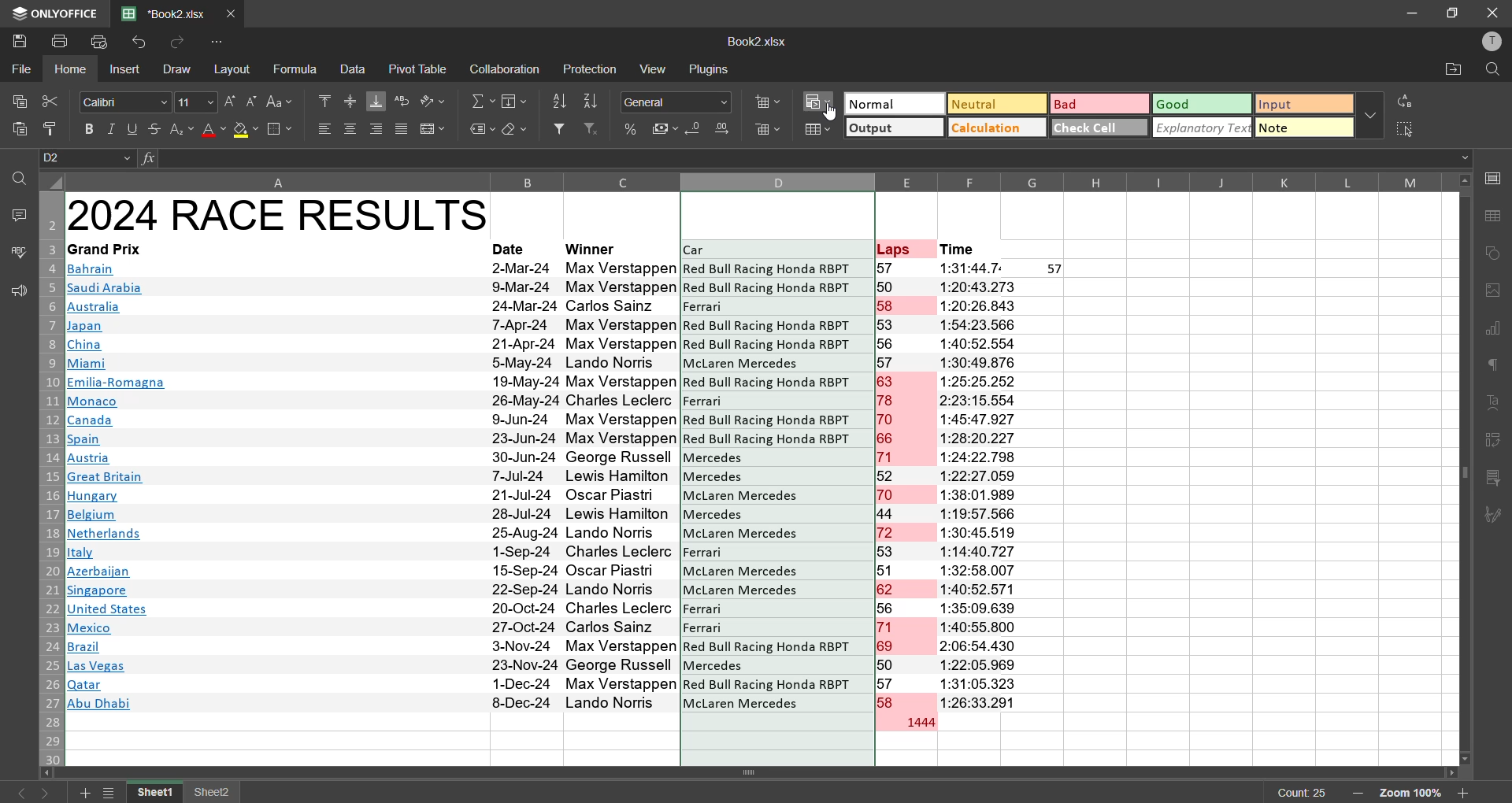 The image size is (1512, 803). What do you see at coordinates (1304, 105) in the screenshot?
I see `input` at bounding box center [1304, 105].